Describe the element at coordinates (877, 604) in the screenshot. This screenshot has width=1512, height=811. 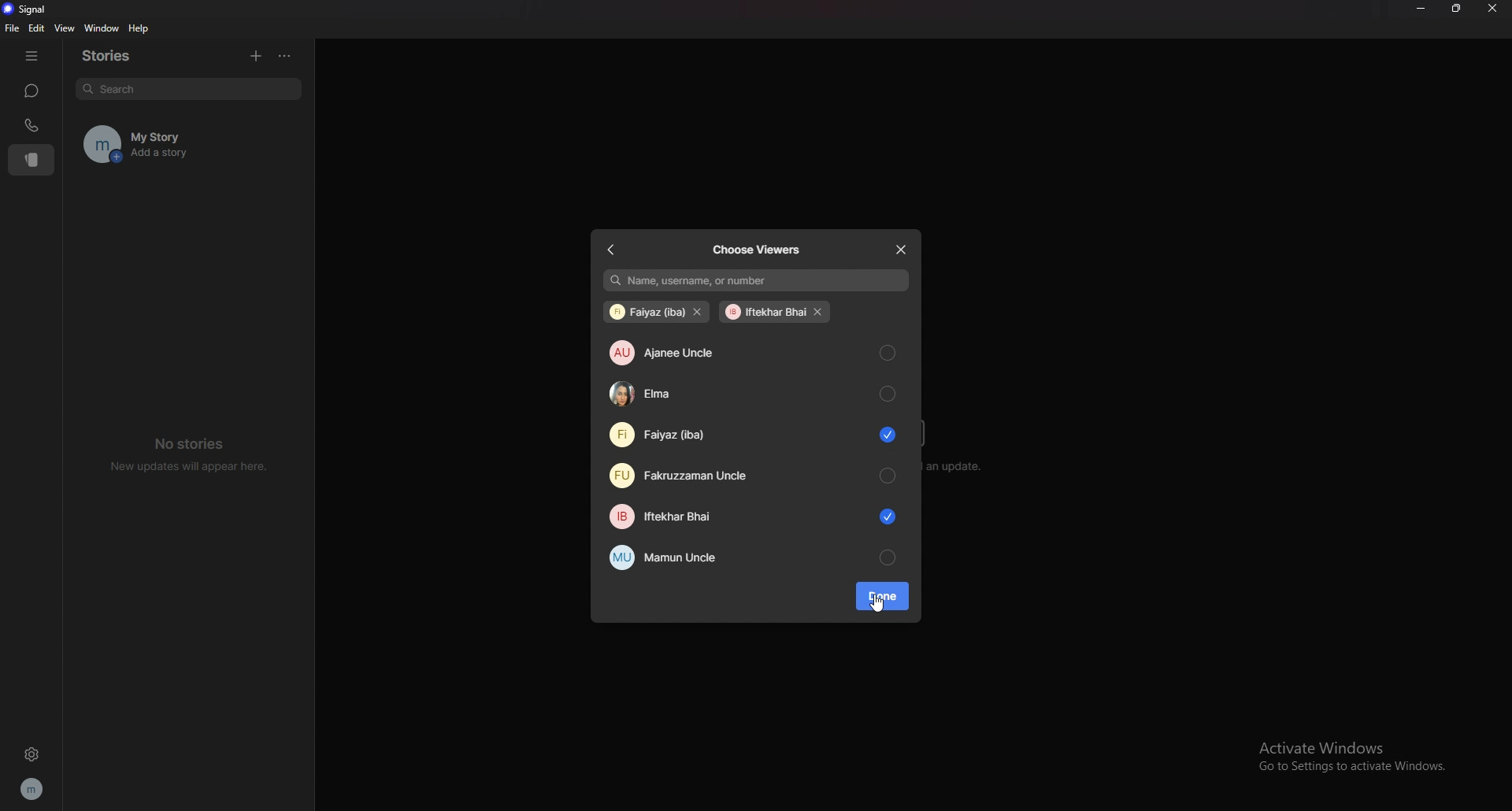
I see `cursor` at that location.